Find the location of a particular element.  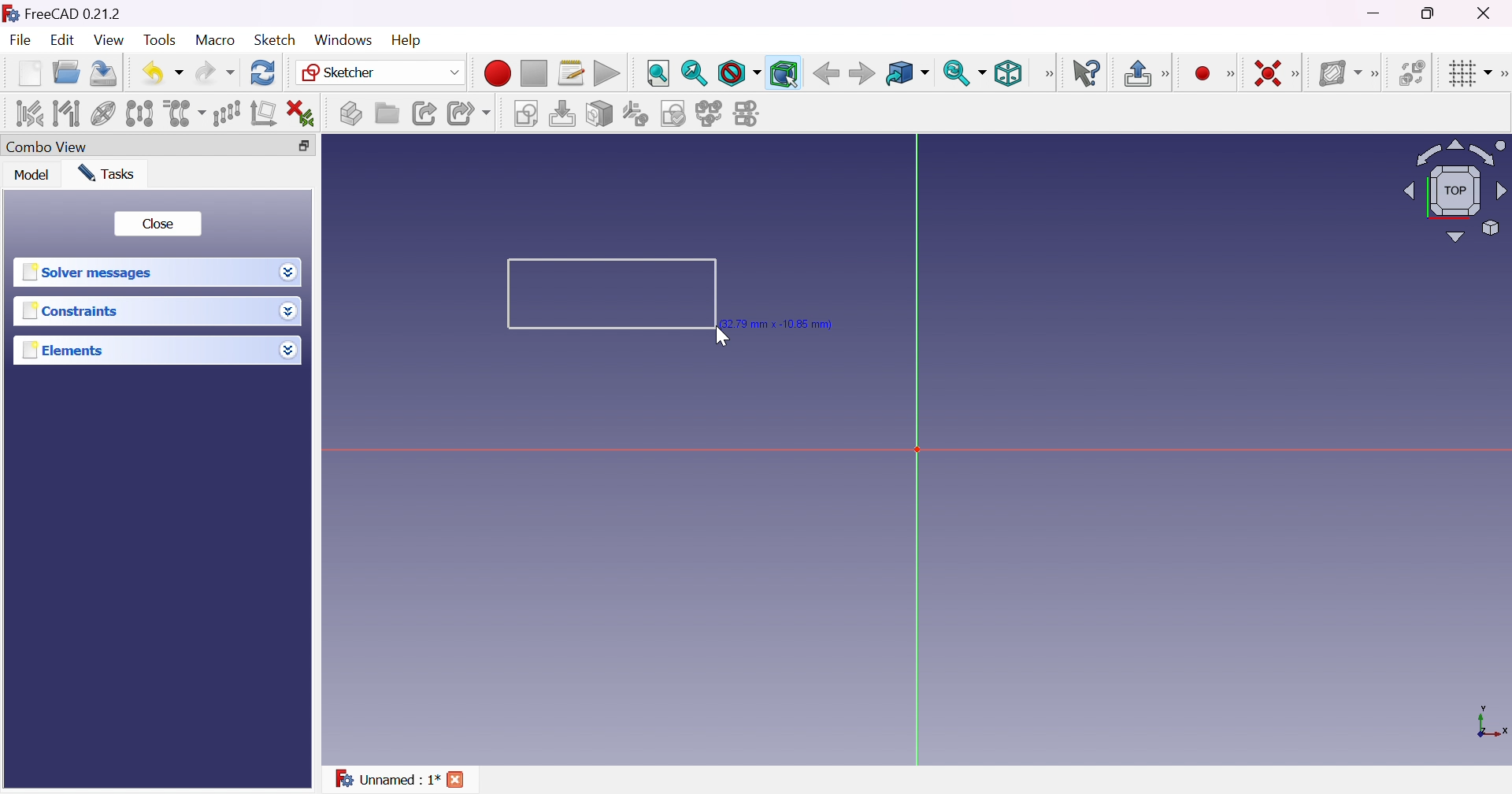

Validate sketch... is located at coordinates (673, 114).